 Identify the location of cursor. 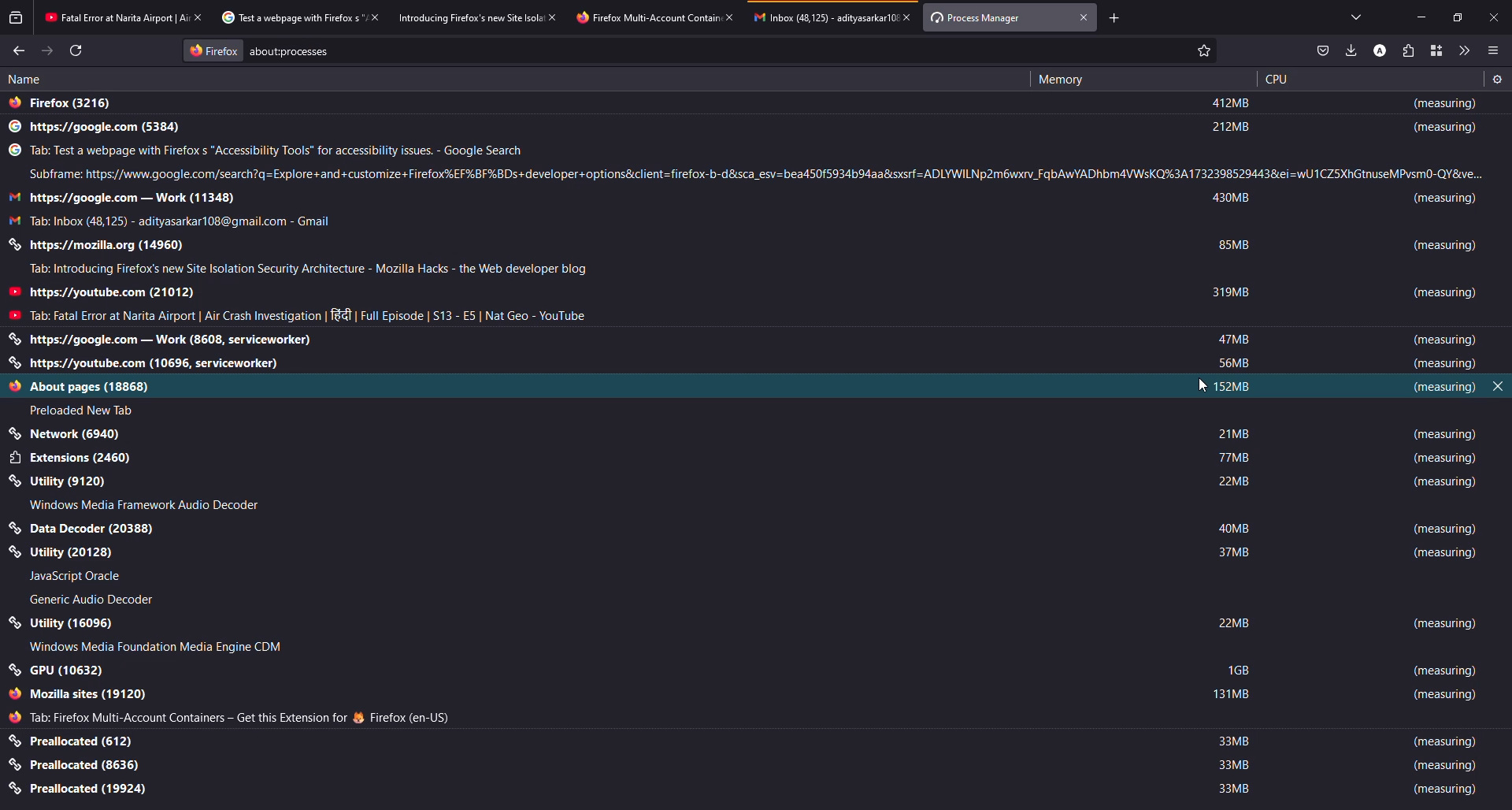
(1203, 386).